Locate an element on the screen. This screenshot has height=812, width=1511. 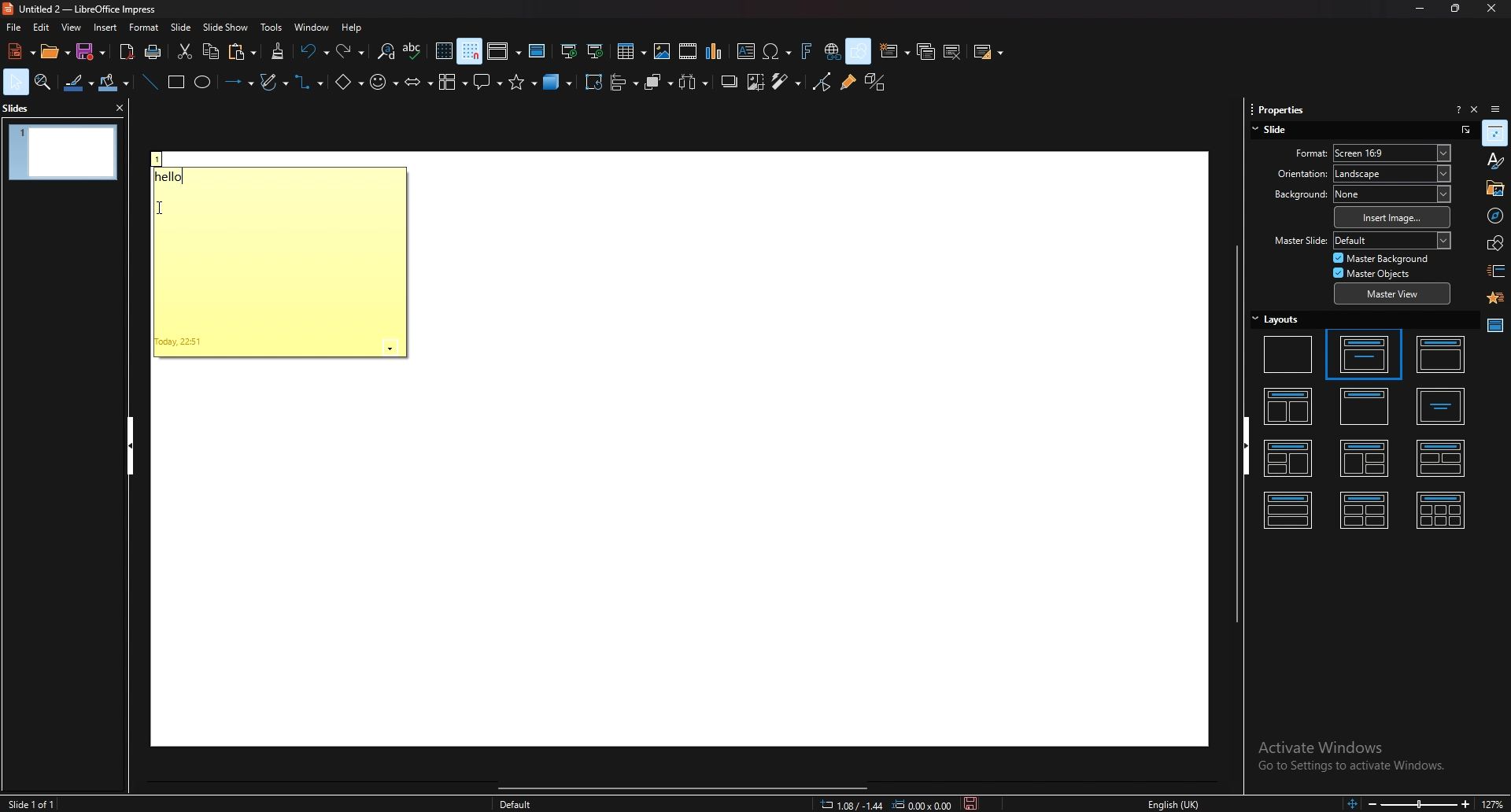
insert text box is located at coordinates (746, 53).